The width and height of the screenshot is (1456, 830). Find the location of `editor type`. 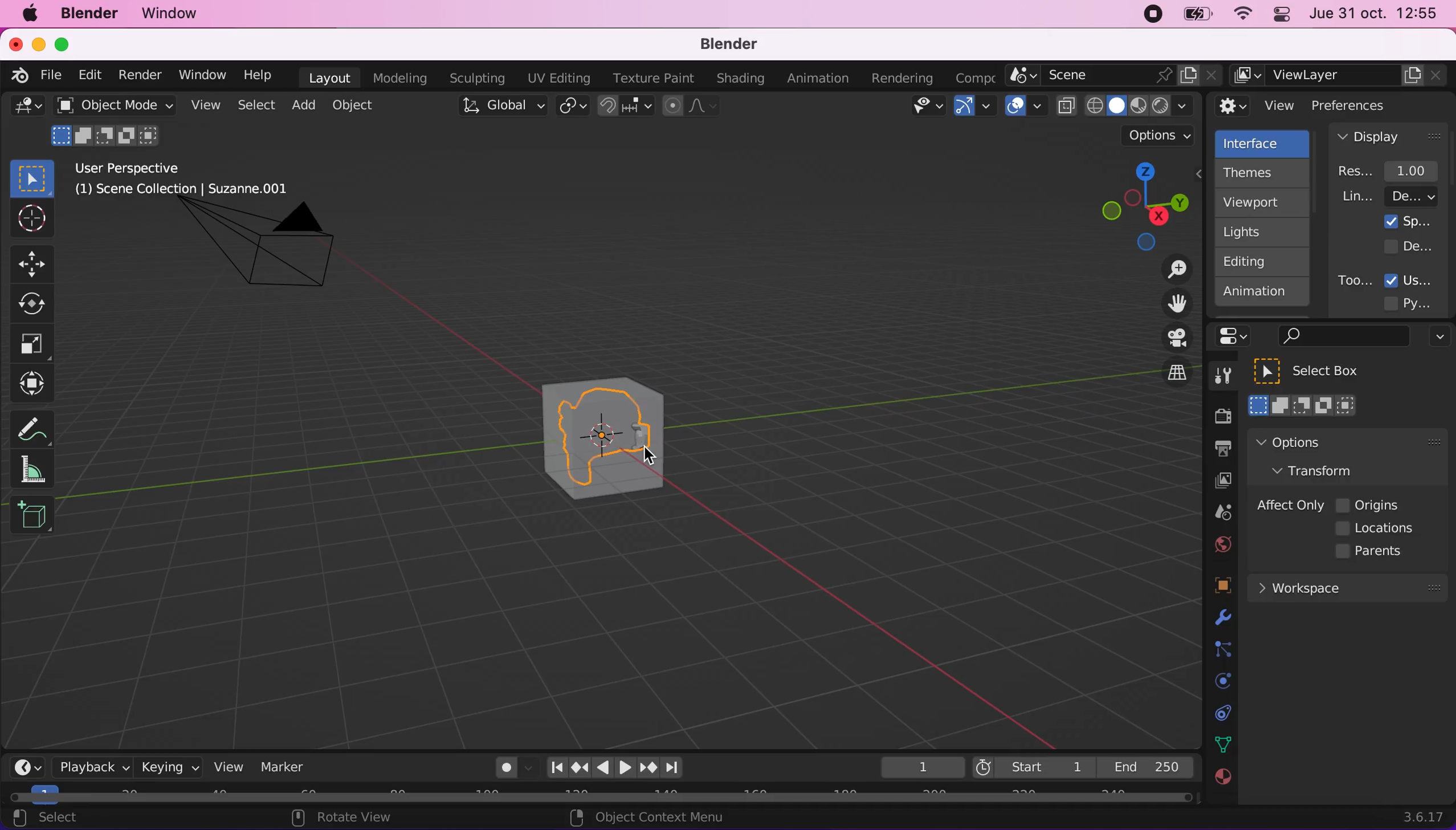

editor type is located at coordinates (23, 758).